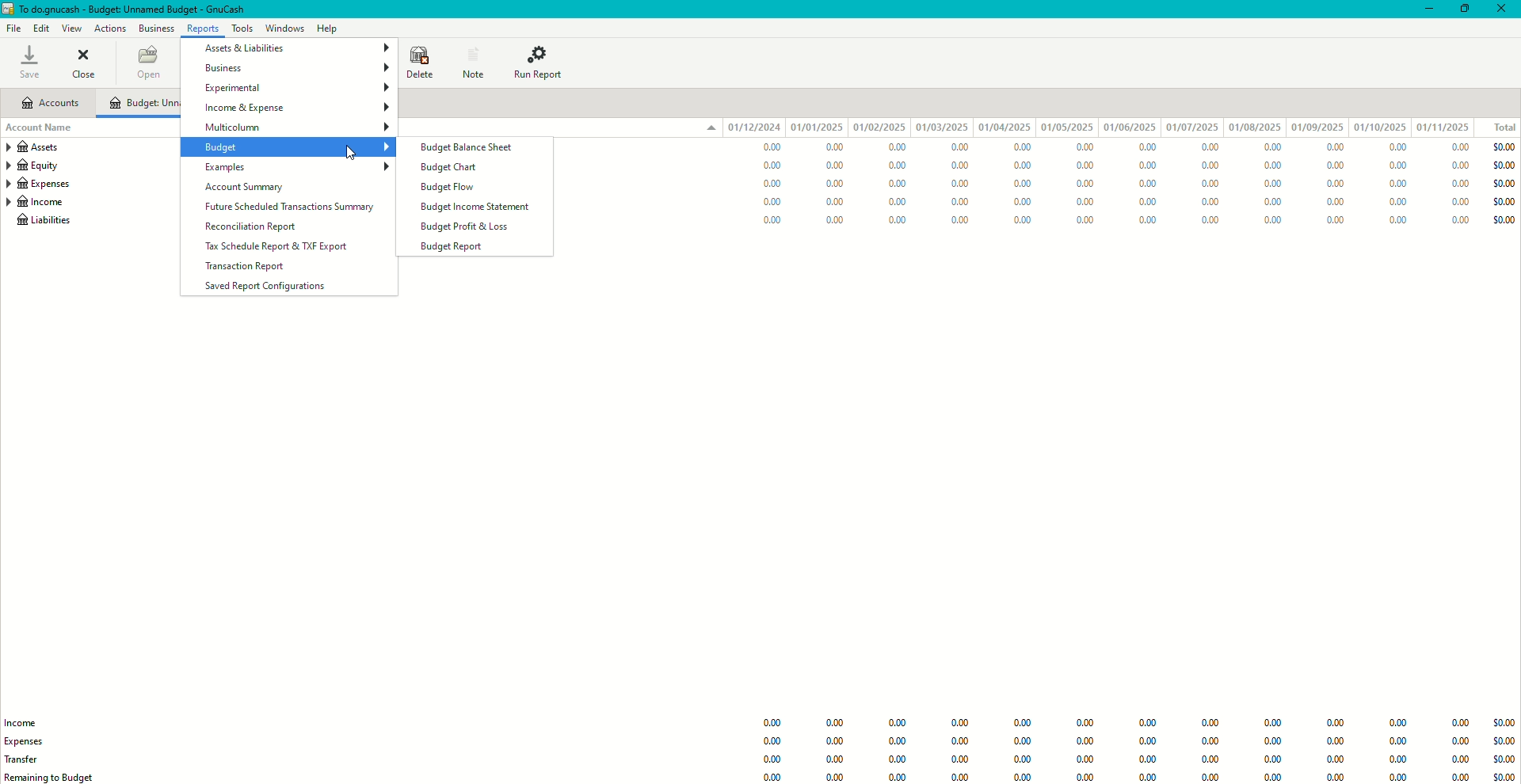  Describe the element at coordinates (38, 185) in the screenshot. I see `Expenses` at that location.